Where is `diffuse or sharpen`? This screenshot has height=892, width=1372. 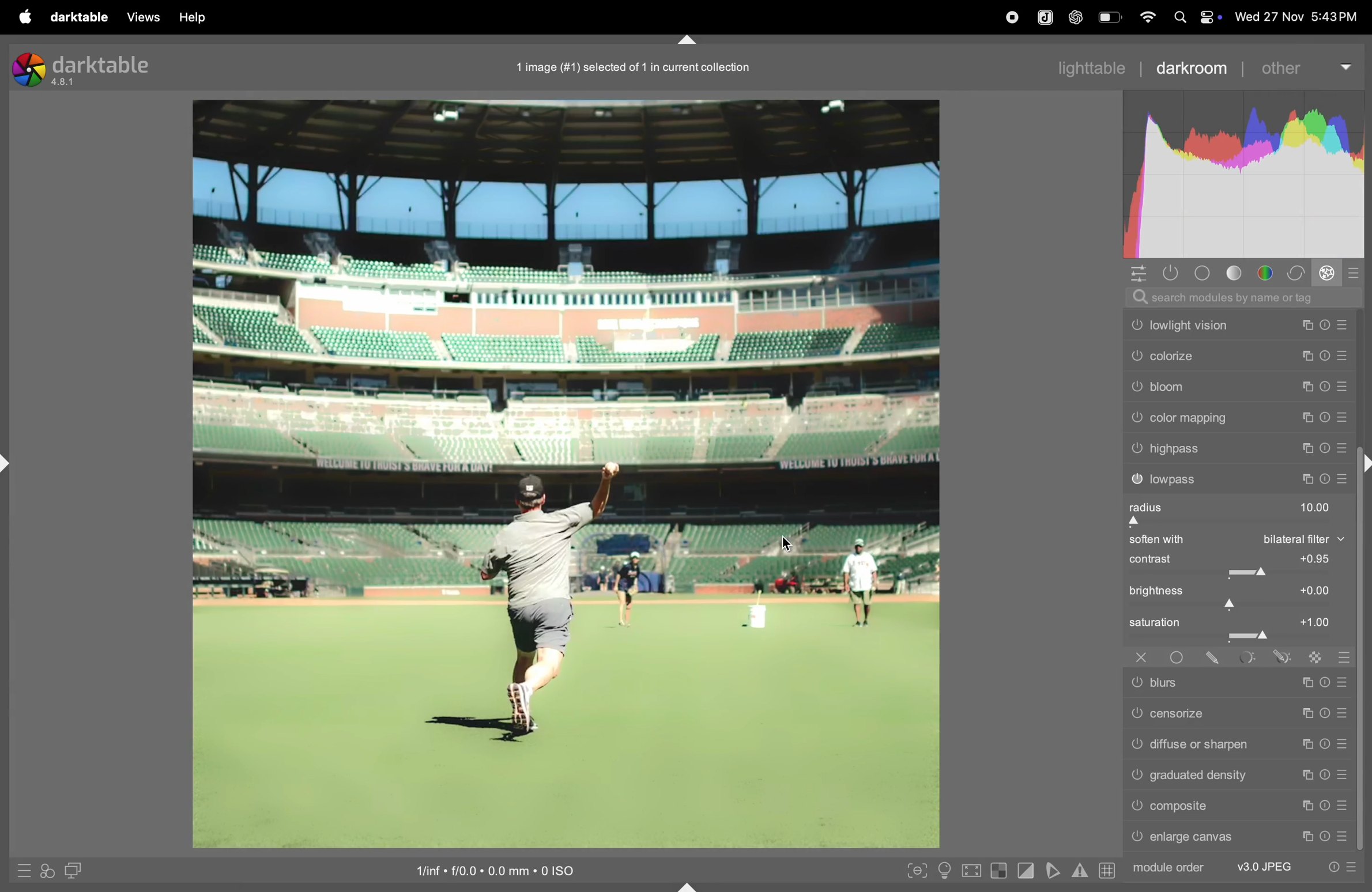 diffuse or sharpen is located at coordinates (1239, 744).